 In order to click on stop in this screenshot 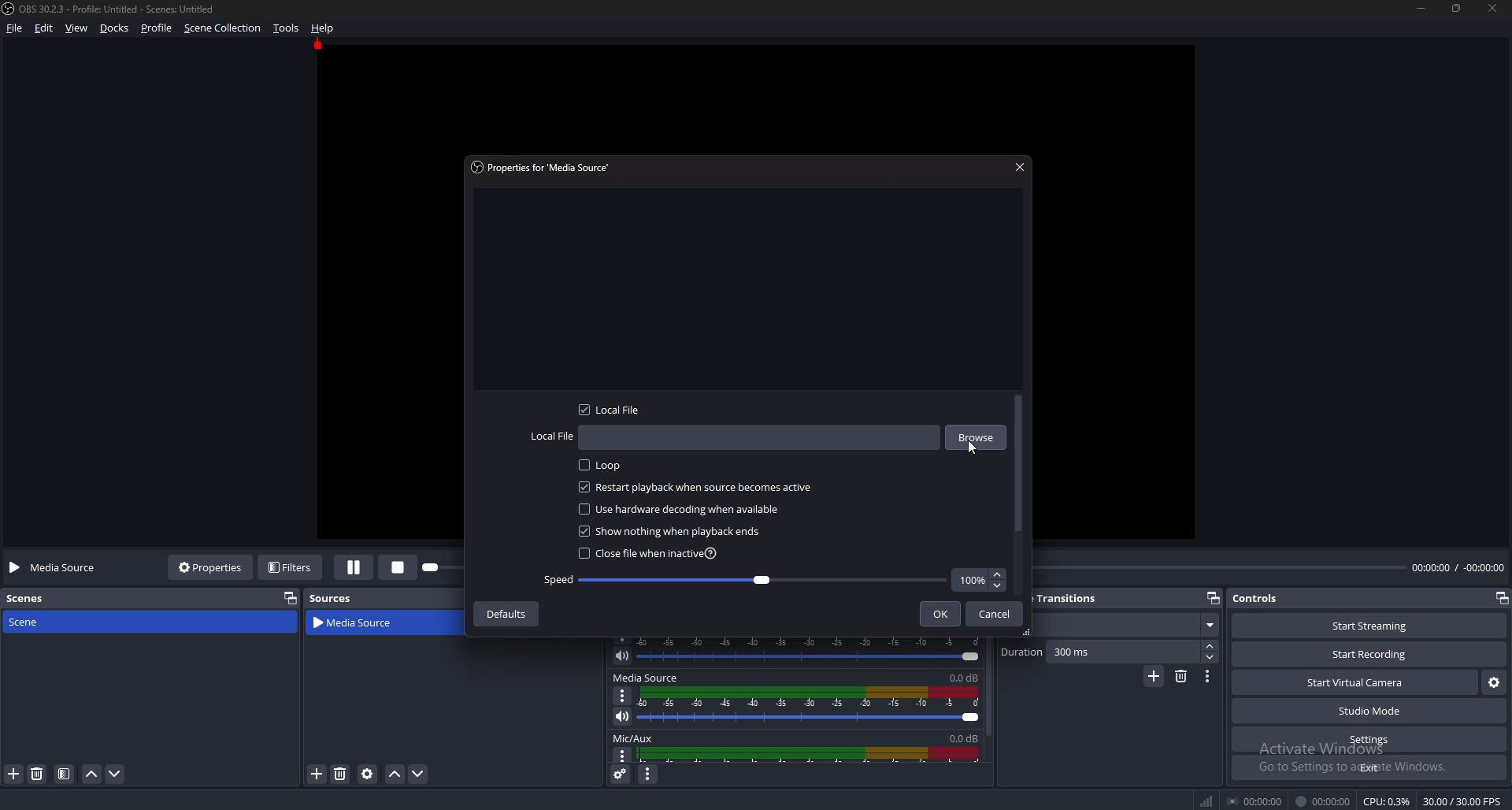, I will do `click(402, 566)`.